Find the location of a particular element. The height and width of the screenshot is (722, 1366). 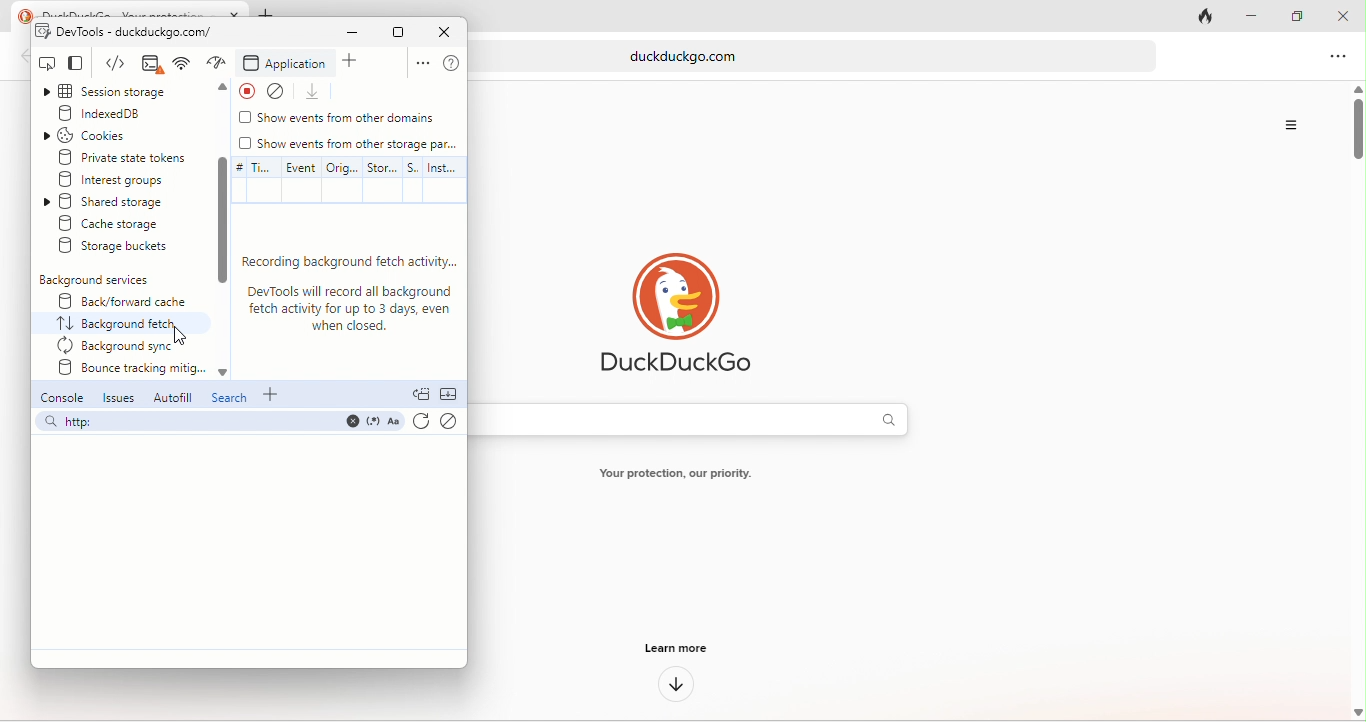

show events from other storage par is located at coordinates (350, 144).